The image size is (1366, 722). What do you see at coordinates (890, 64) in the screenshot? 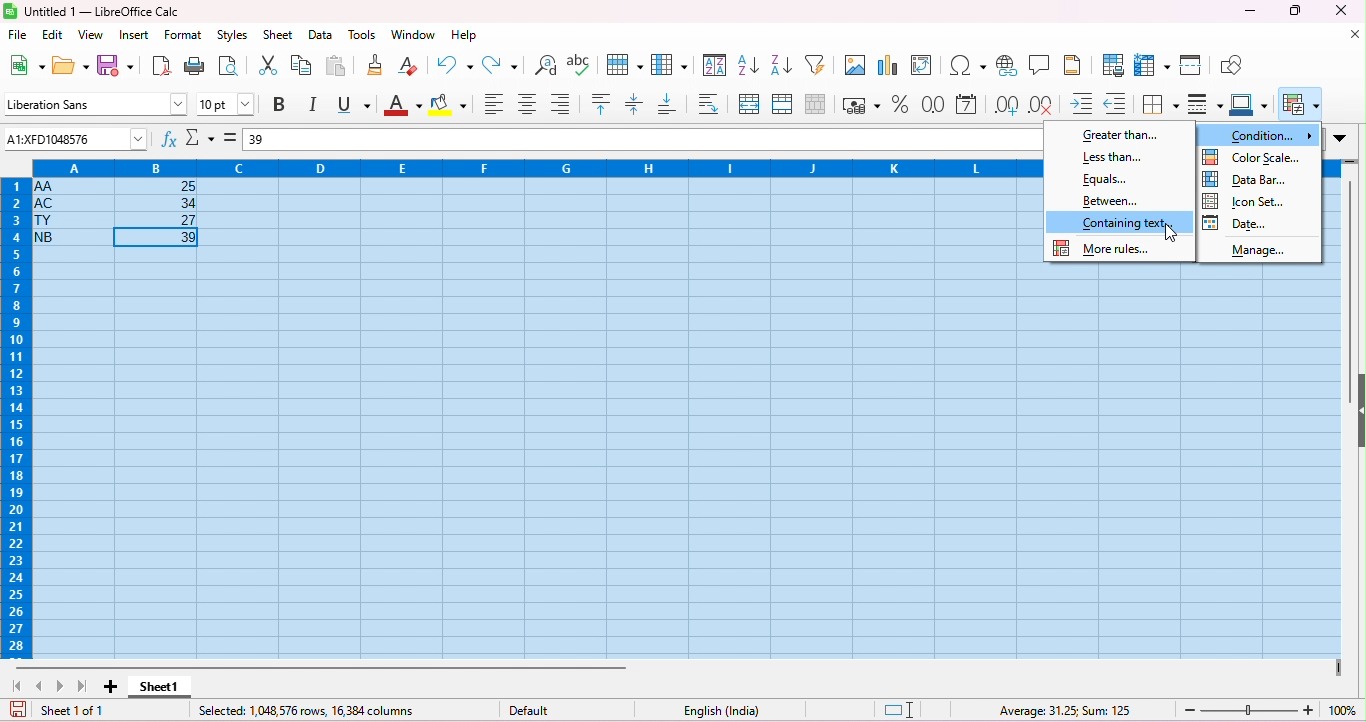
I see `insert chart` at bounding box center [890, 64].